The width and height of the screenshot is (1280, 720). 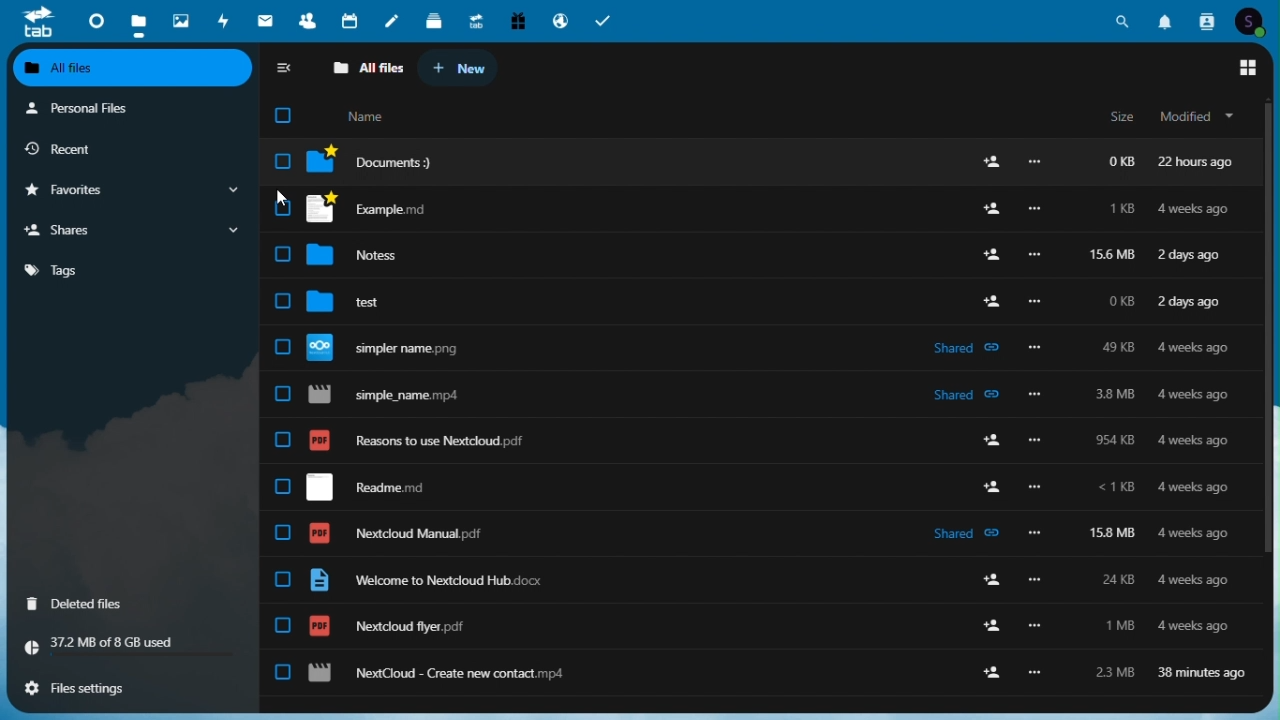 What do you see at coordinates (356, 303) in the screenshot?
I see `test` at bounding box center [356, 303].